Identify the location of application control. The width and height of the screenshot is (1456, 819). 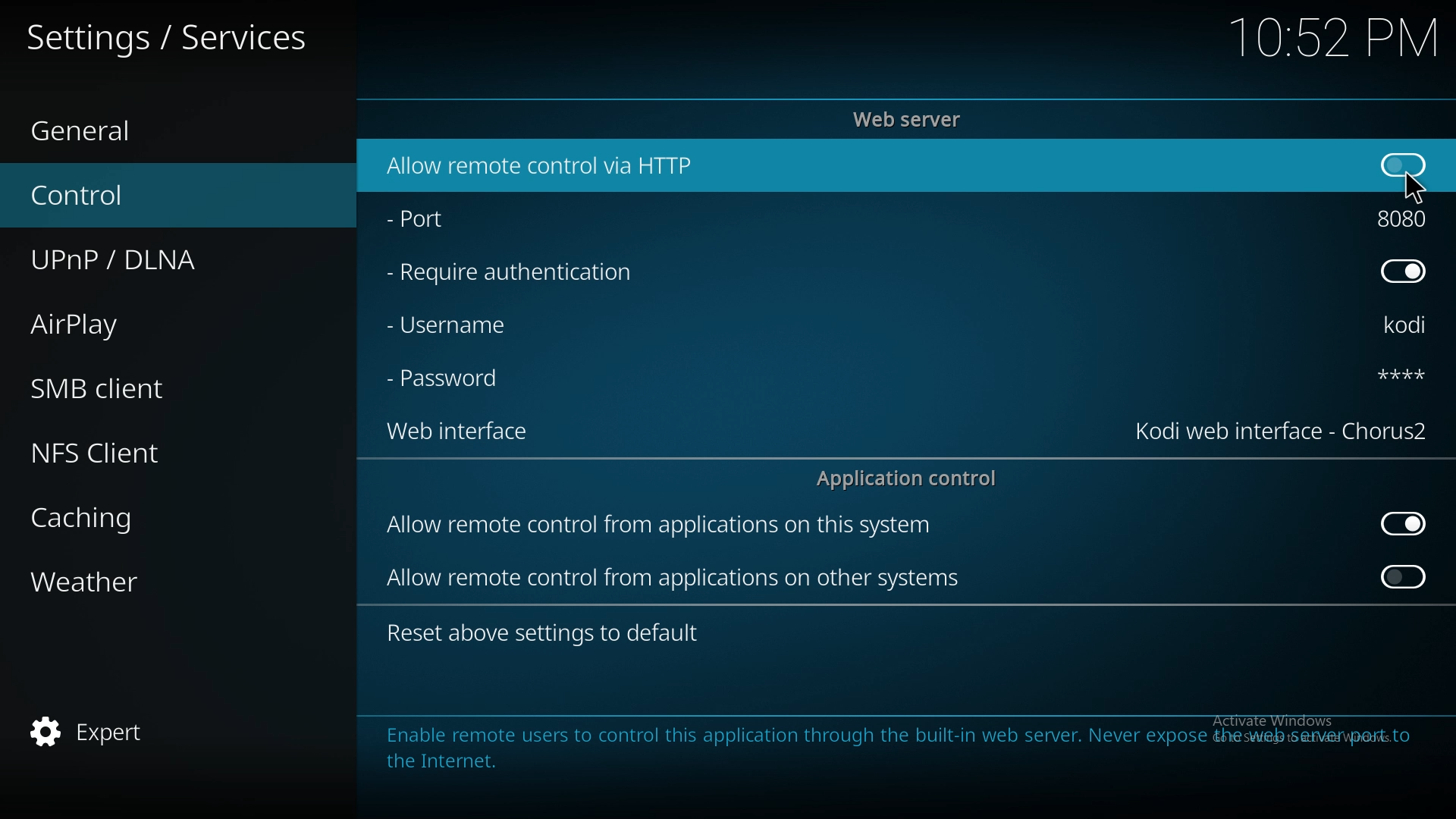
(912, 478).